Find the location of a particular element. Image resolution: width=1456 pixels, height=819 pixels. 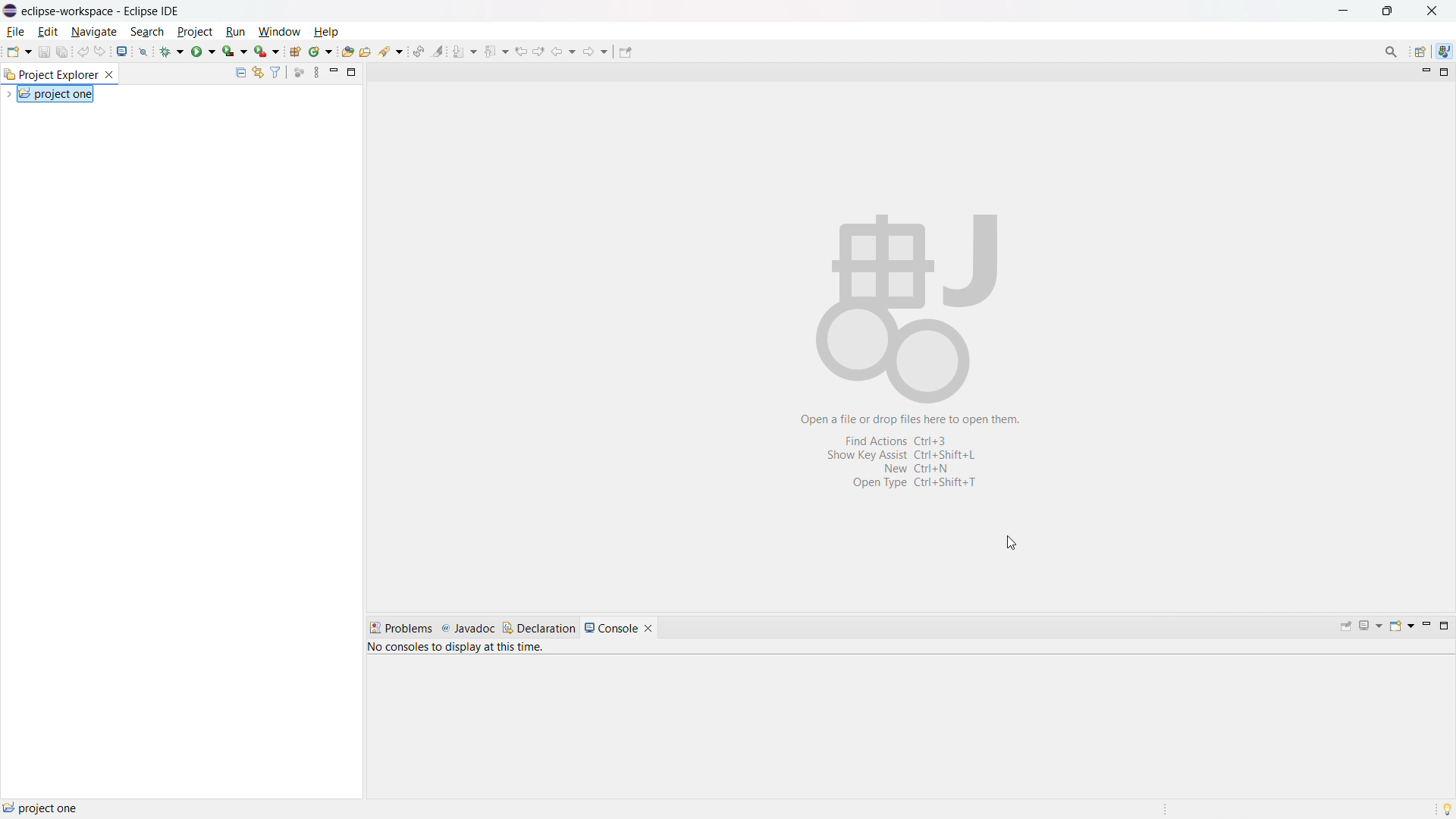

select and deselect filters is located at coordinates (275, 73).